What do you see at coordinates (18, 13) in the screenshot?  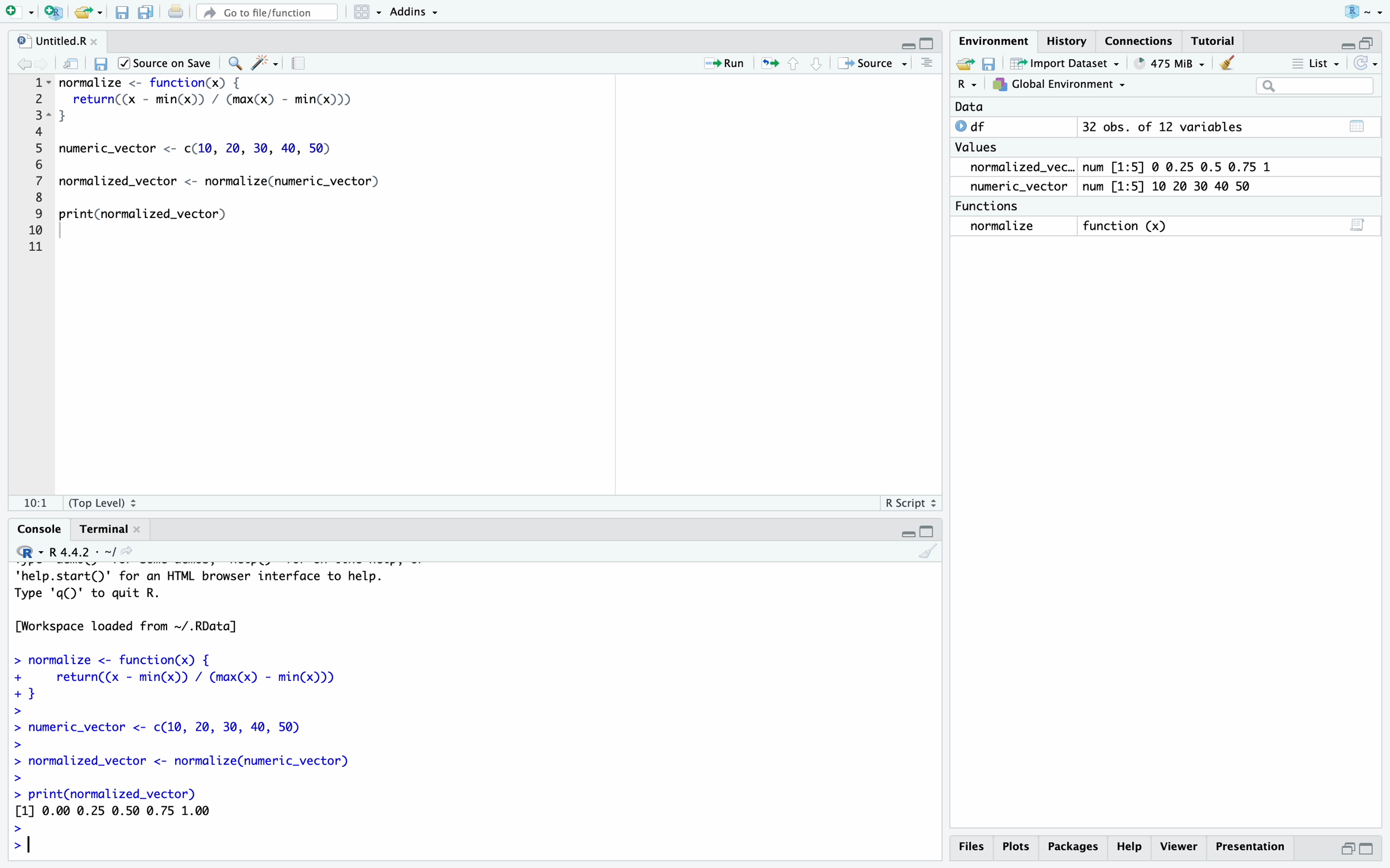 I see `New File` at bounding box center [18, 13].